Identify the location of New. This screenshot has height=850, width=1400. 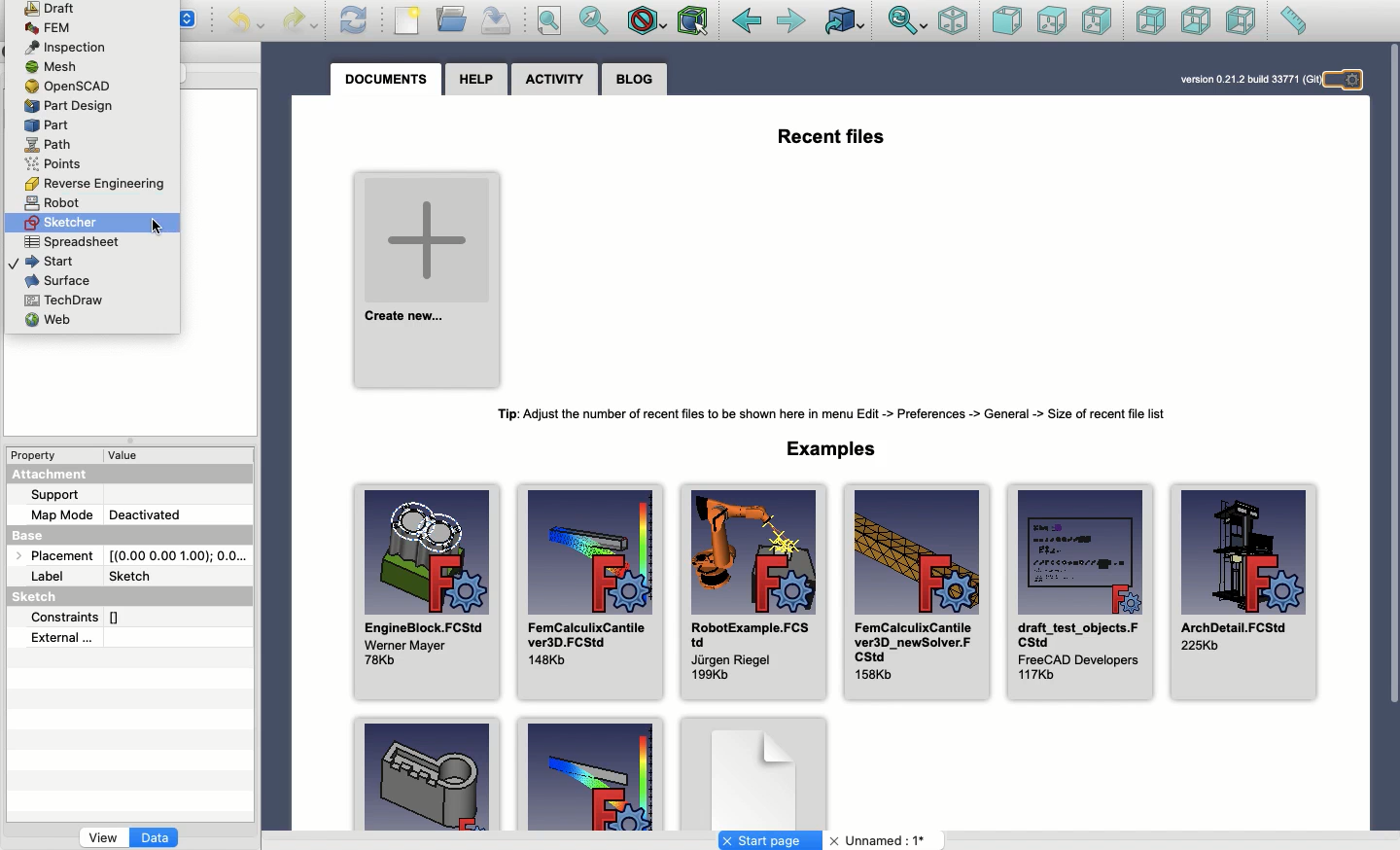
(407, 20).